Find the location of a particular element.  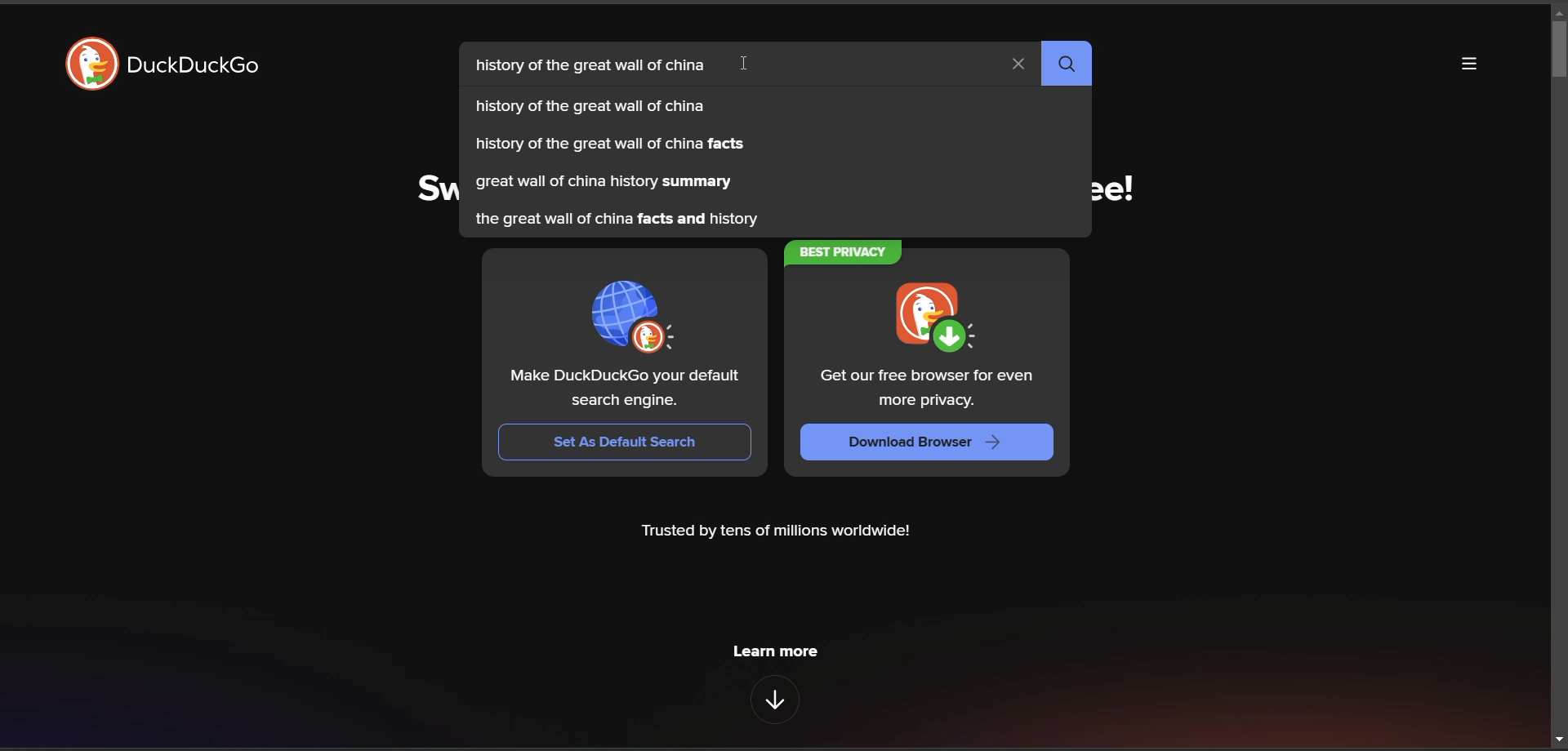

great wall of china history summary is located at coordinates (608, 183).